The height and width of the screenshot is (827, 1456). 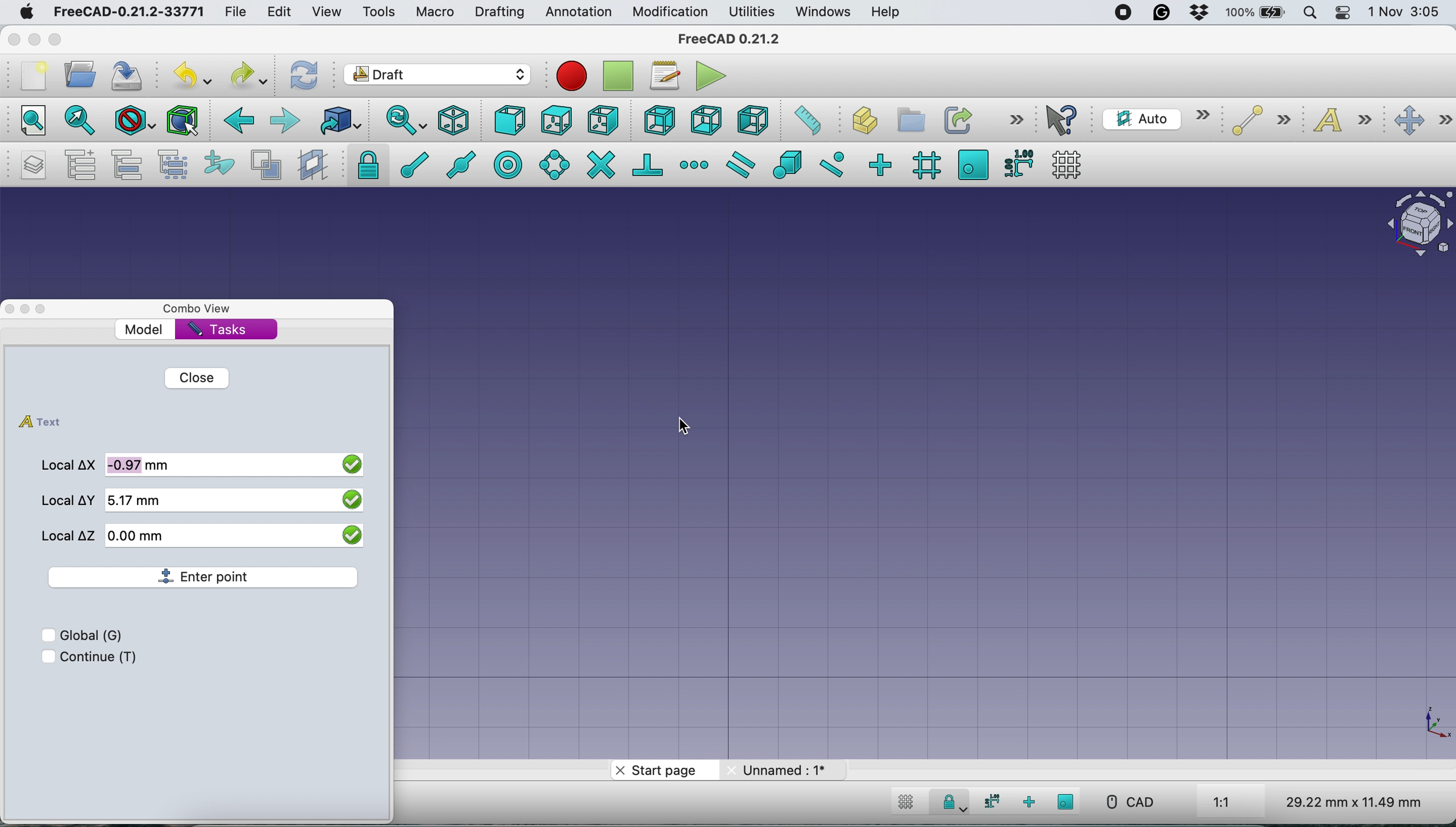 I want to click on what's this, so click(x=1063, y=119).